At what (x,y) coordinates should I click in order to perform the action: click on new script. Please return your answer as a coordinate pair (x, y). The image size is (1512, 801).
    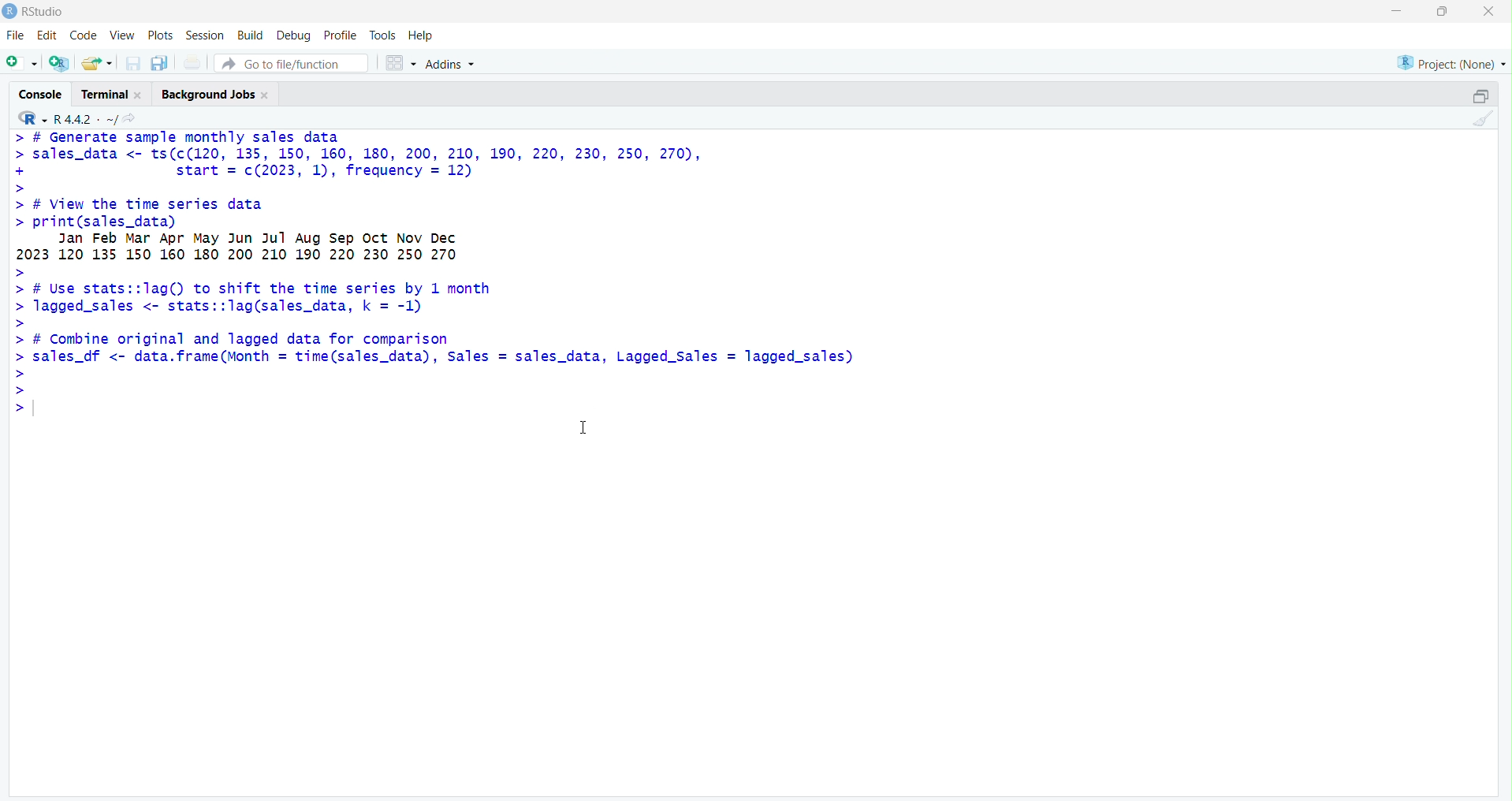
    Looking at the image, I should click on (20, 63).